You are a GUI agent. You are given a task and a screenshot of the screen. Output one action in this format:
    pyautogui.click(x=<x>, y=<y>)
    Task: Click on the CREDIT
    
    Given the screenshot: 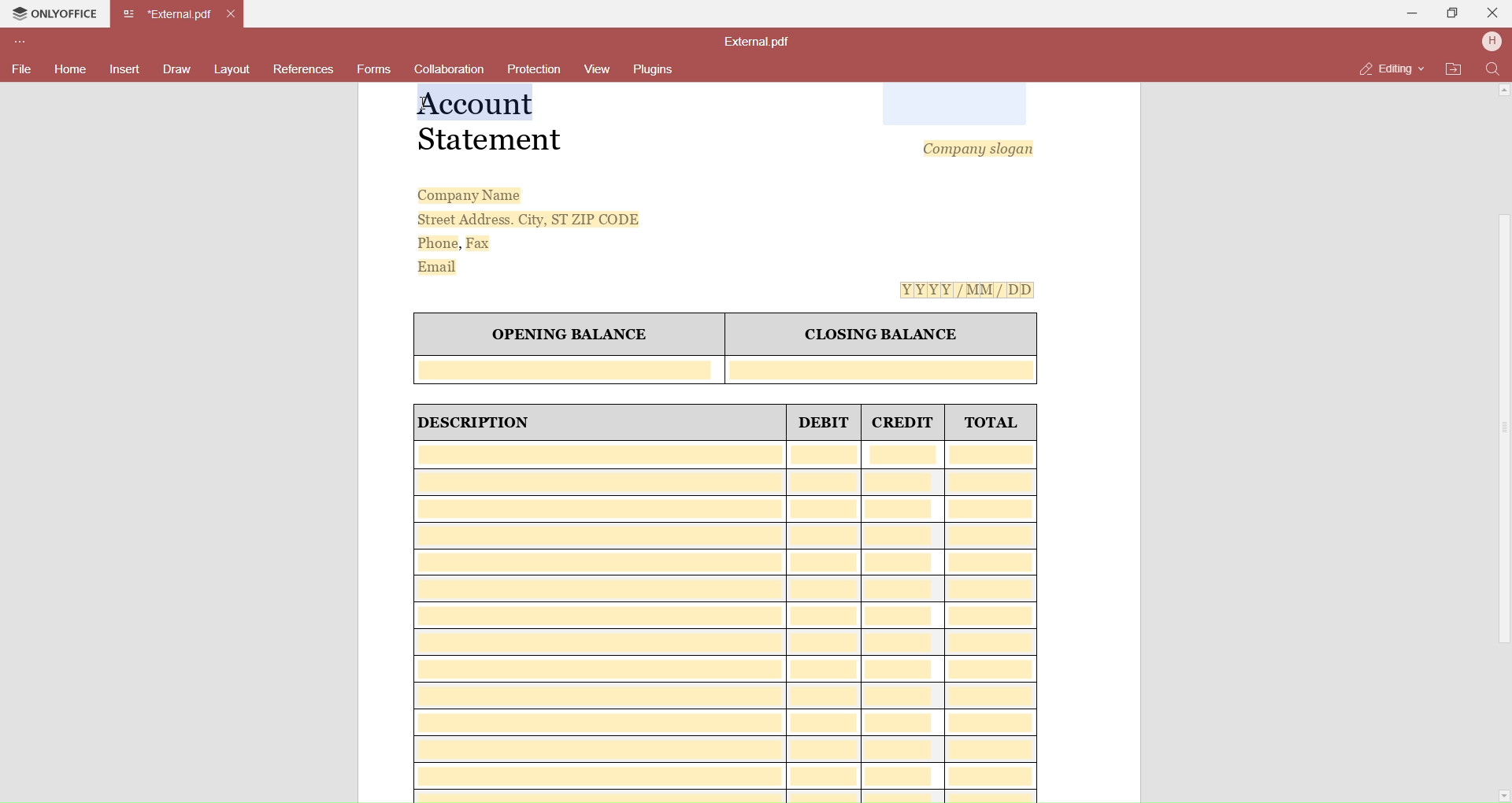 What is the action you would take?
    pyautogui.click(x=902, y=422)
    